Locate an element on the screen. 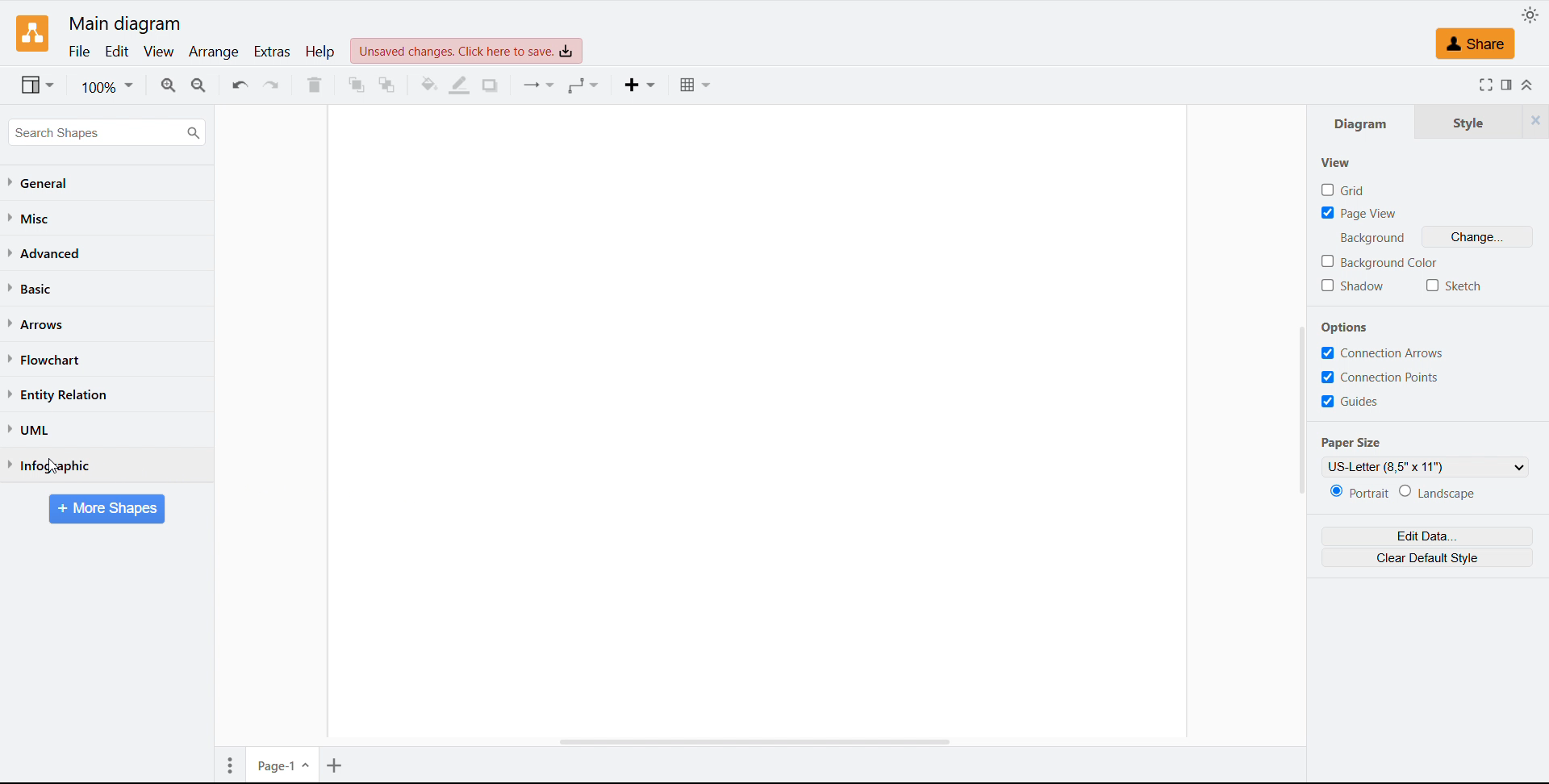 Image resolution: width=1549 pixels, height=784 pixels. help  is located at coordinates (320, 52).